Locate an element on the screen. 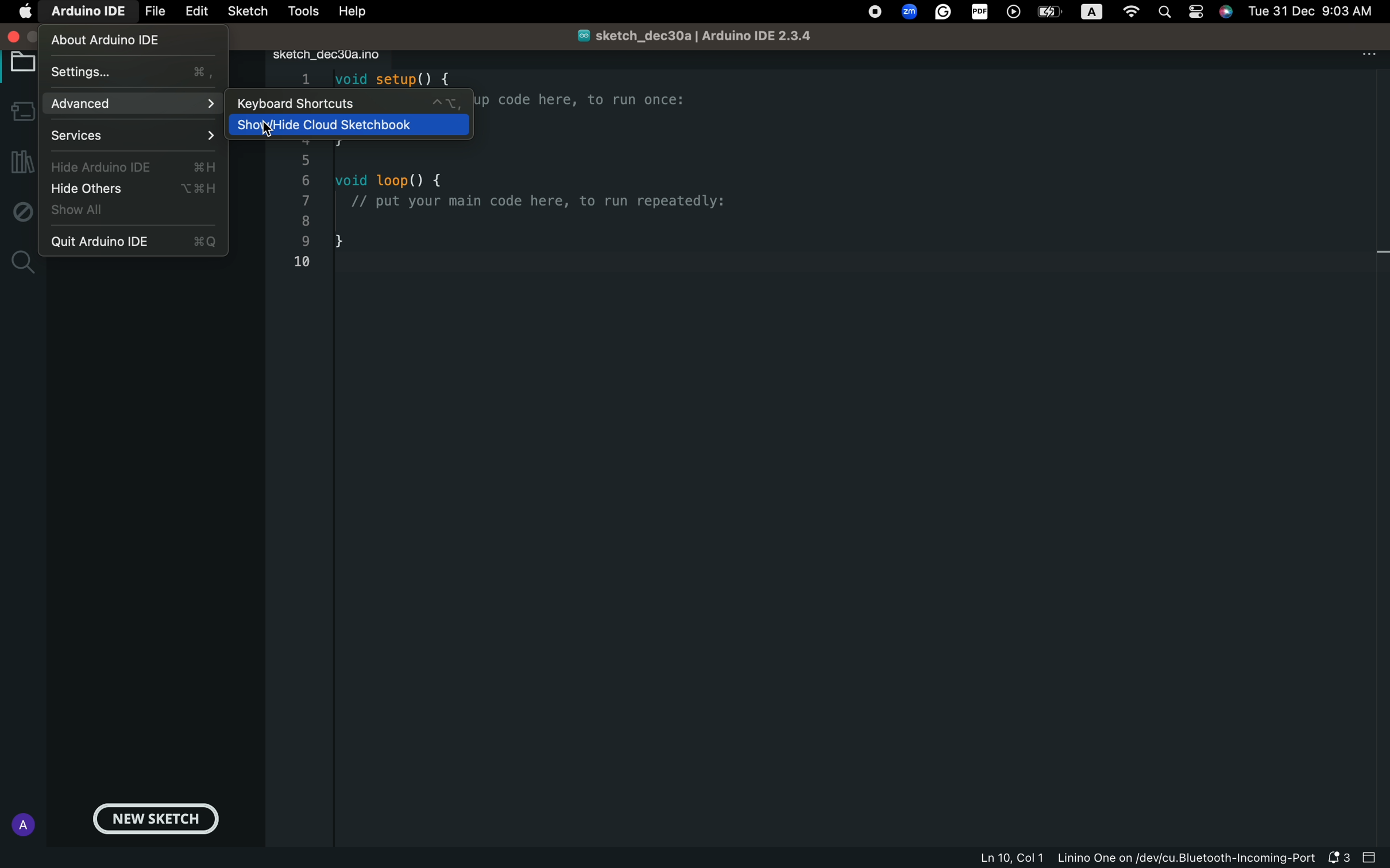 The height and width of the screenshot is (868, 1390). cursor is located at coordinates (261, 131).